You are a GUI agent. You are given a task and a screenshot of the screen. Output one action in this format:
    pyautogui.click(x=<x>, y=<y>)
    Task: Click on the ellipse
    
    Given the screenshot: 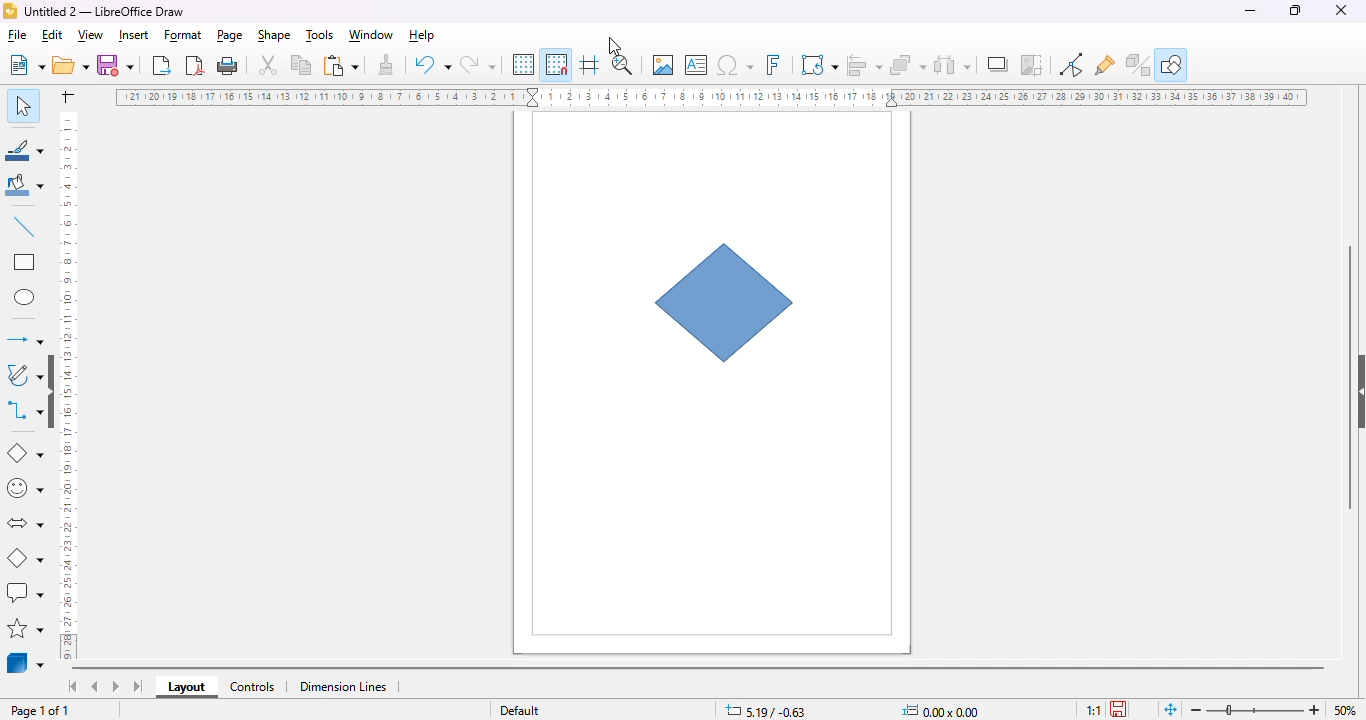 What is the action you would take?
    pyautogui.click(x=25, y=297)
    